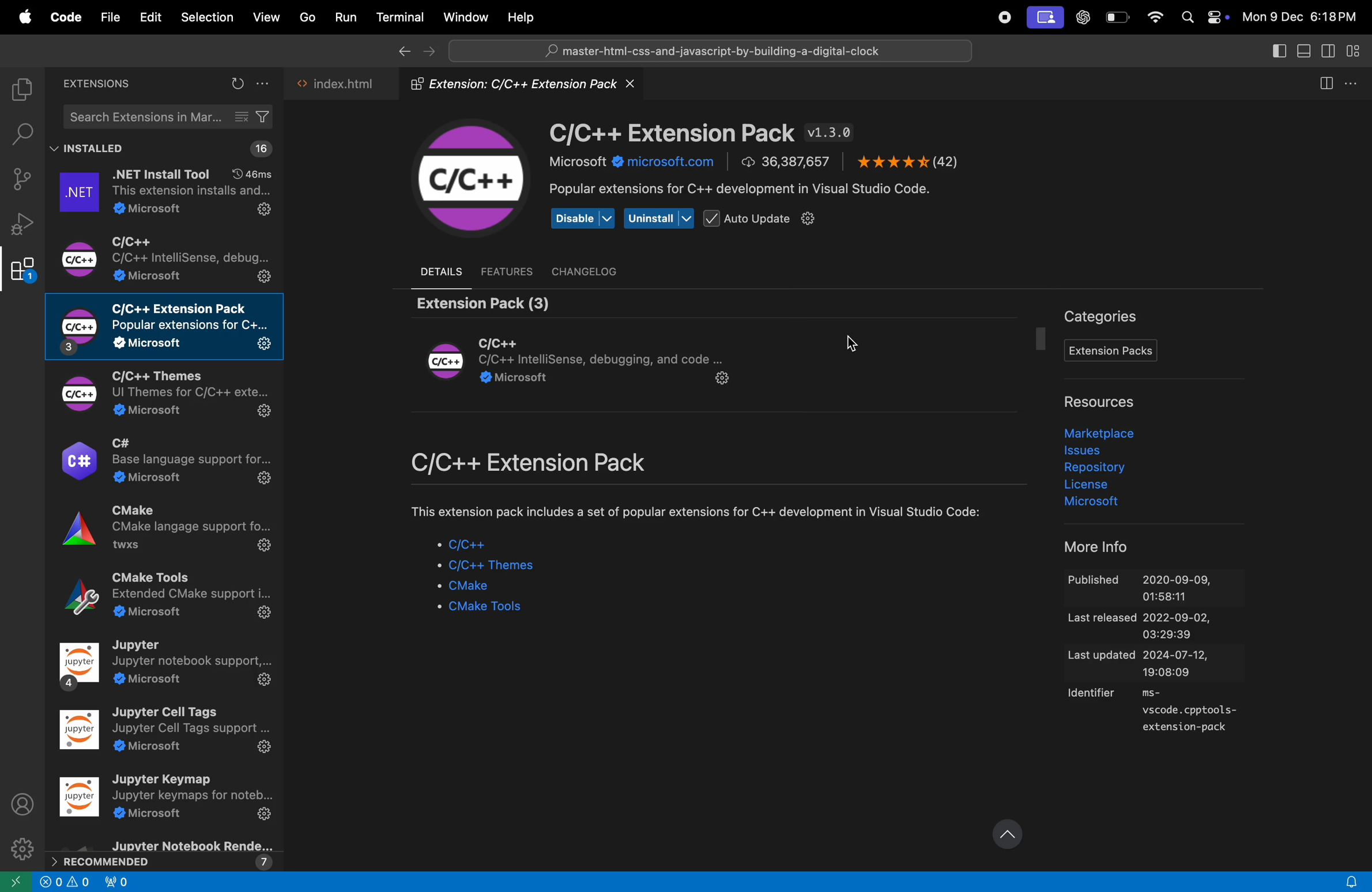  Describe the element at coordinates (22, 224) in the screenshot. I see `debug` at that location.